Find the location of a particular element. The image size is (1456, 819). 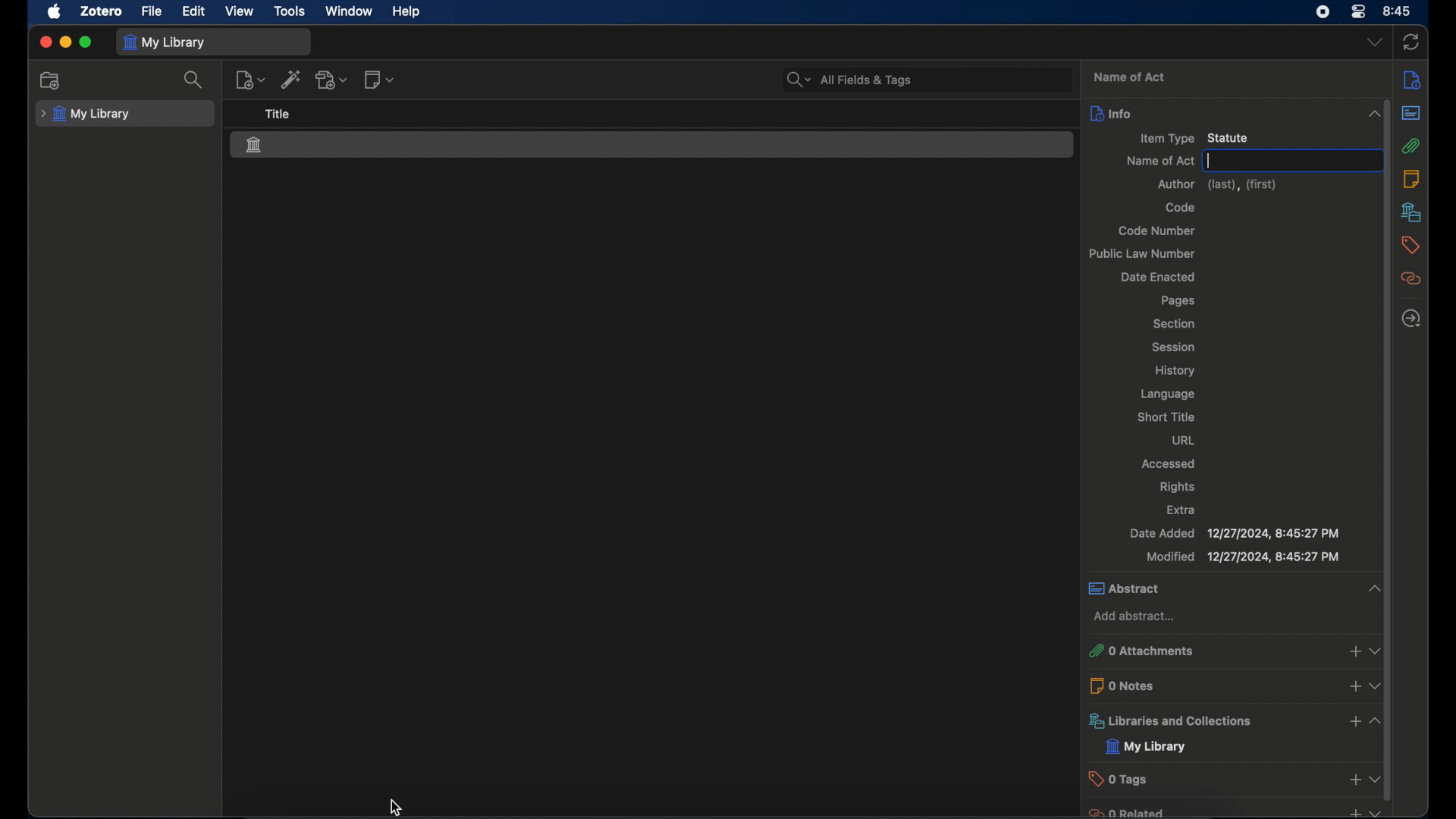

0 related is located at coordinates (1211, 811).